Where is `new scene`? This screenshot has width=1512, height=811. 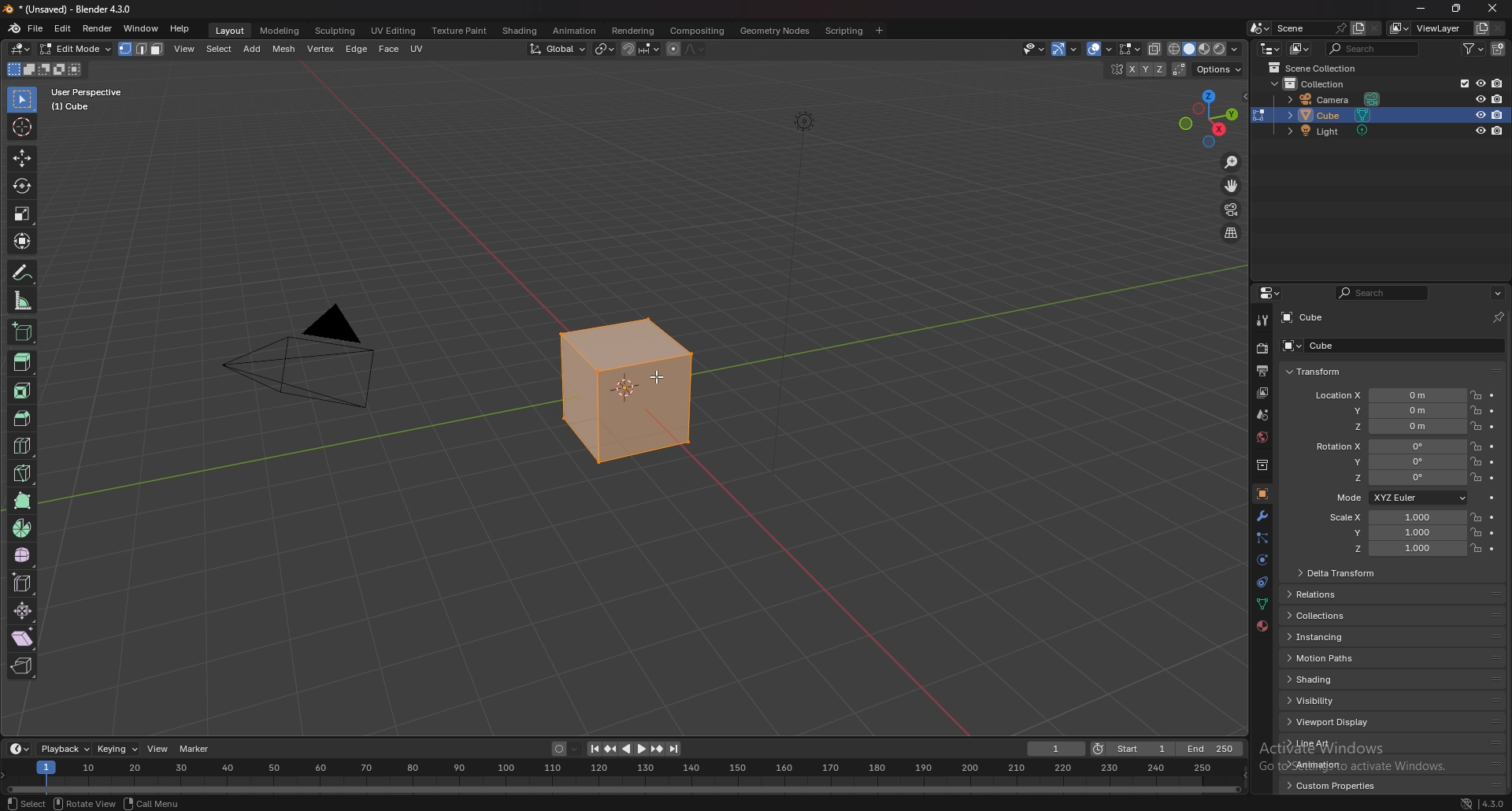
new scene is located at coordinates (1358, 29).